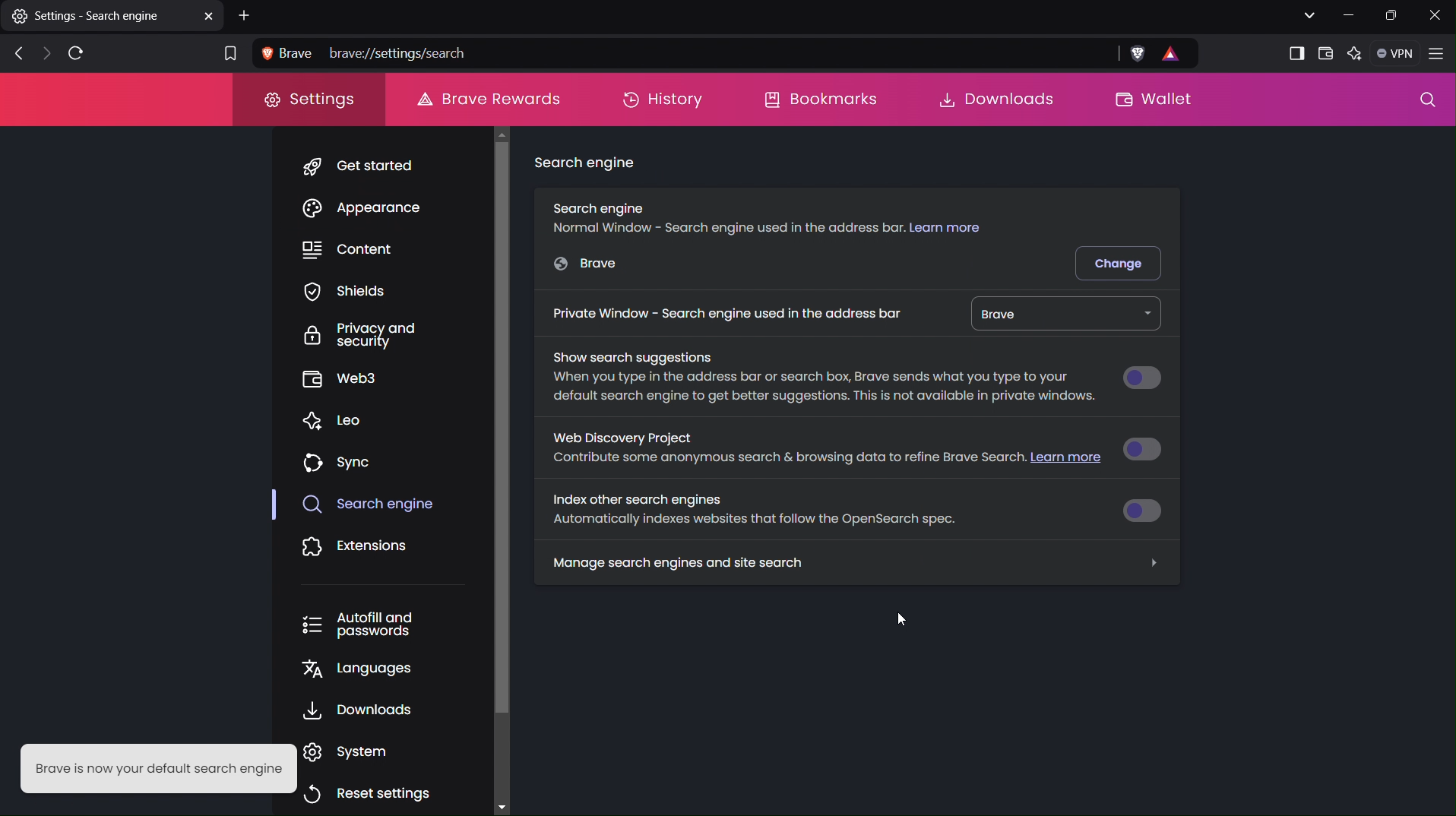 This screenshot has width=1456, height=816. I want to click on Next, so click(43, 55).